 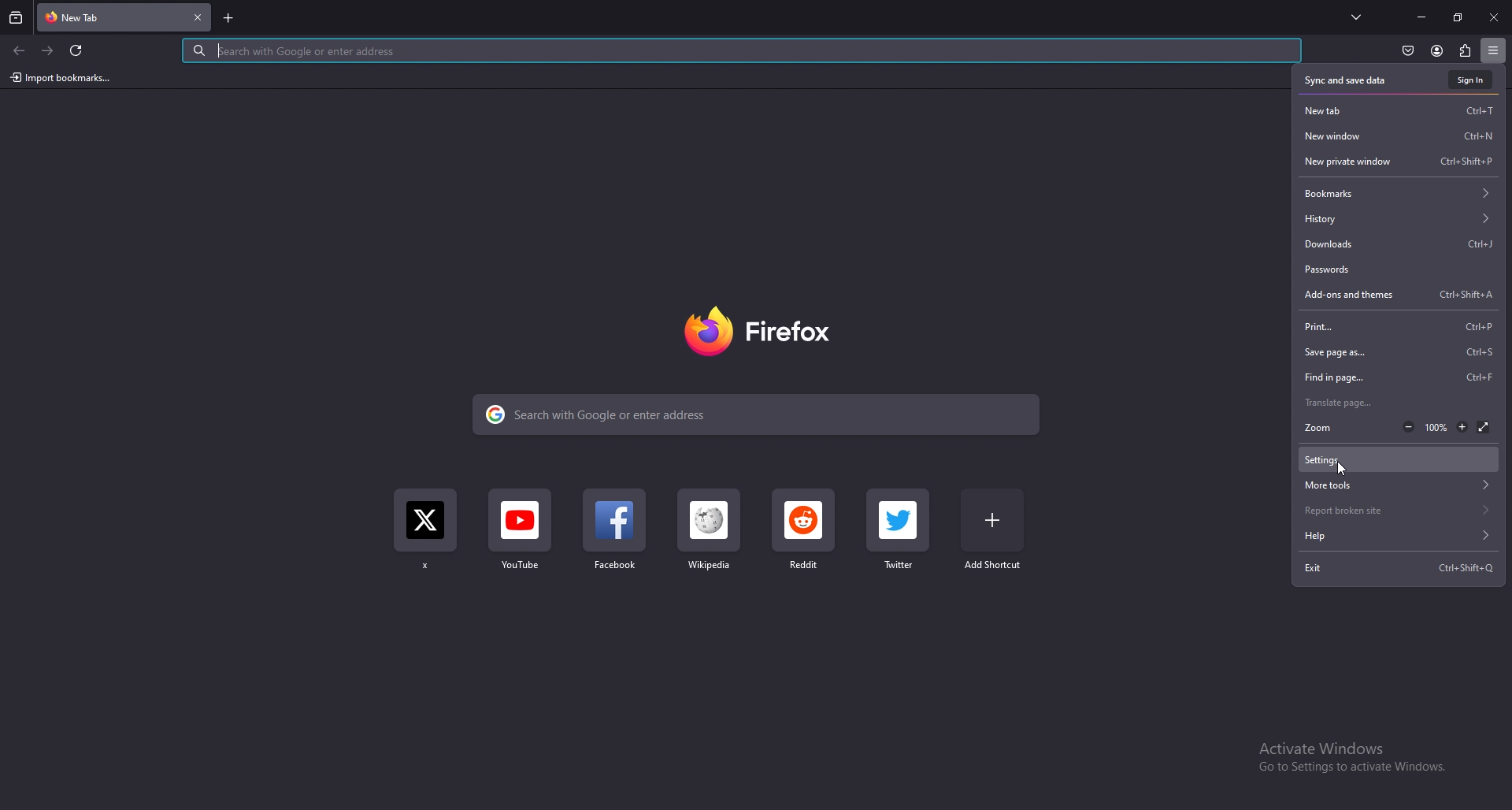 What do you see at coordinates (805, 535) in the screenshot?
I see `reddit` at bounding box center [805, 535].